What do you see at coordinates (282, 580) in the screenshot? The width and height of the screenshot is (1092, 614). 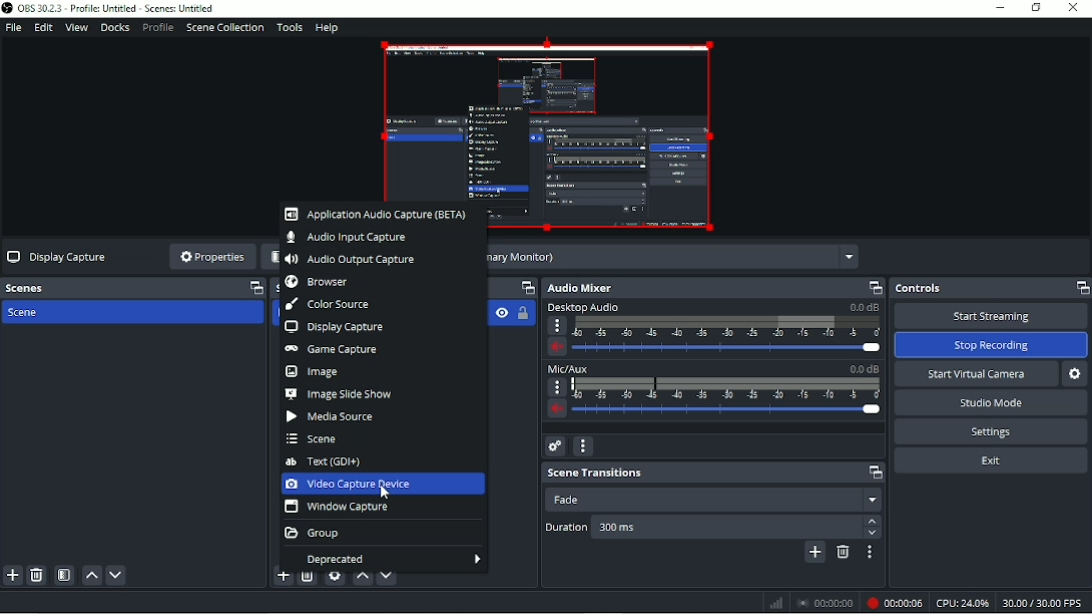 I see `Add source` at bounding box center [282, 580].